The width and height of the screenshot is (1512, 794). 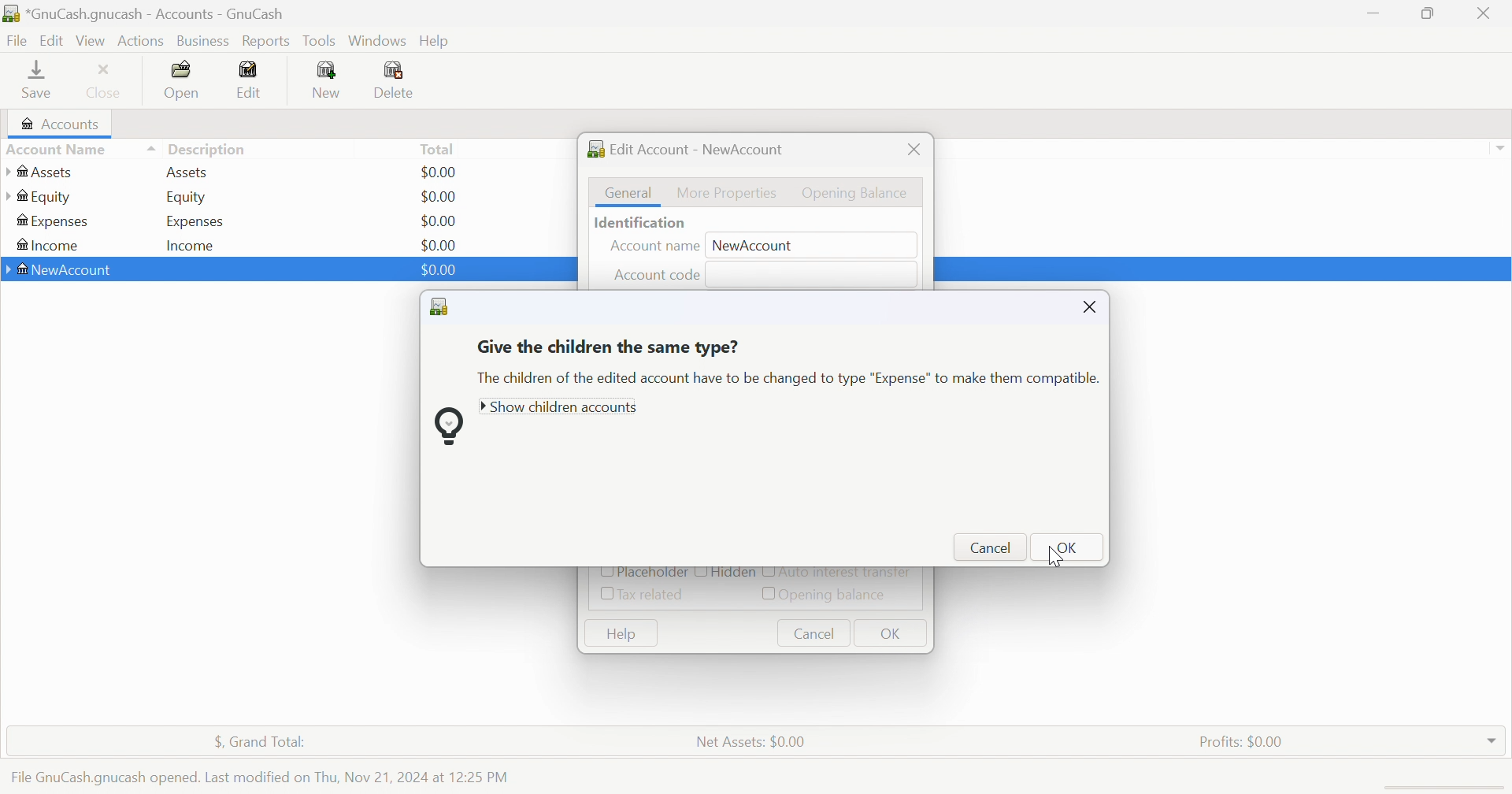 What do you see at coordinates (603, 595) in the screenshot?
I see `Checkbox` at bounding box center [603, 595].